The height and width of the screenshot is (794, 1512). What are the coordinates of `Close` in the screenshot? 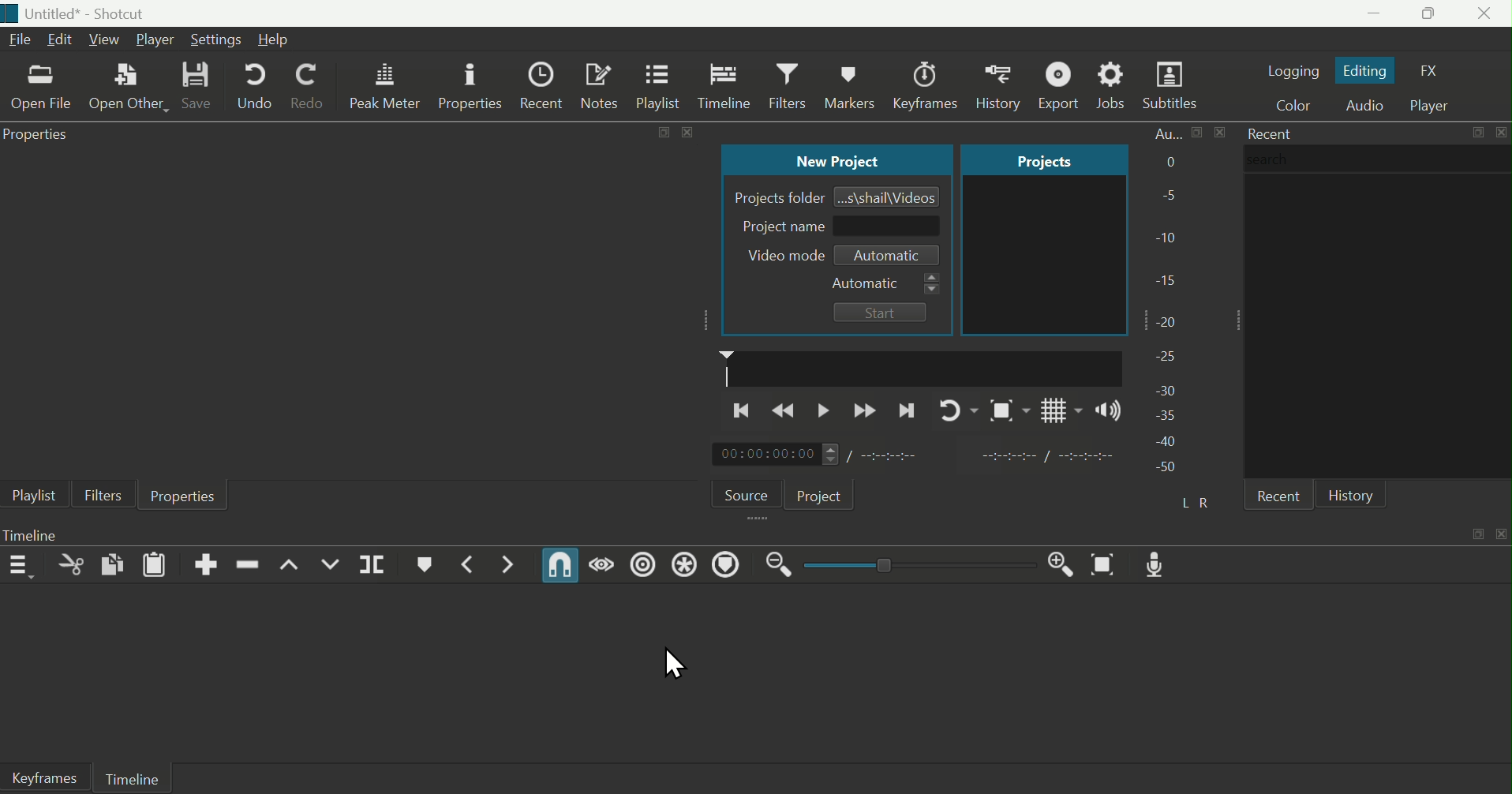 It's located at (1485, 14).